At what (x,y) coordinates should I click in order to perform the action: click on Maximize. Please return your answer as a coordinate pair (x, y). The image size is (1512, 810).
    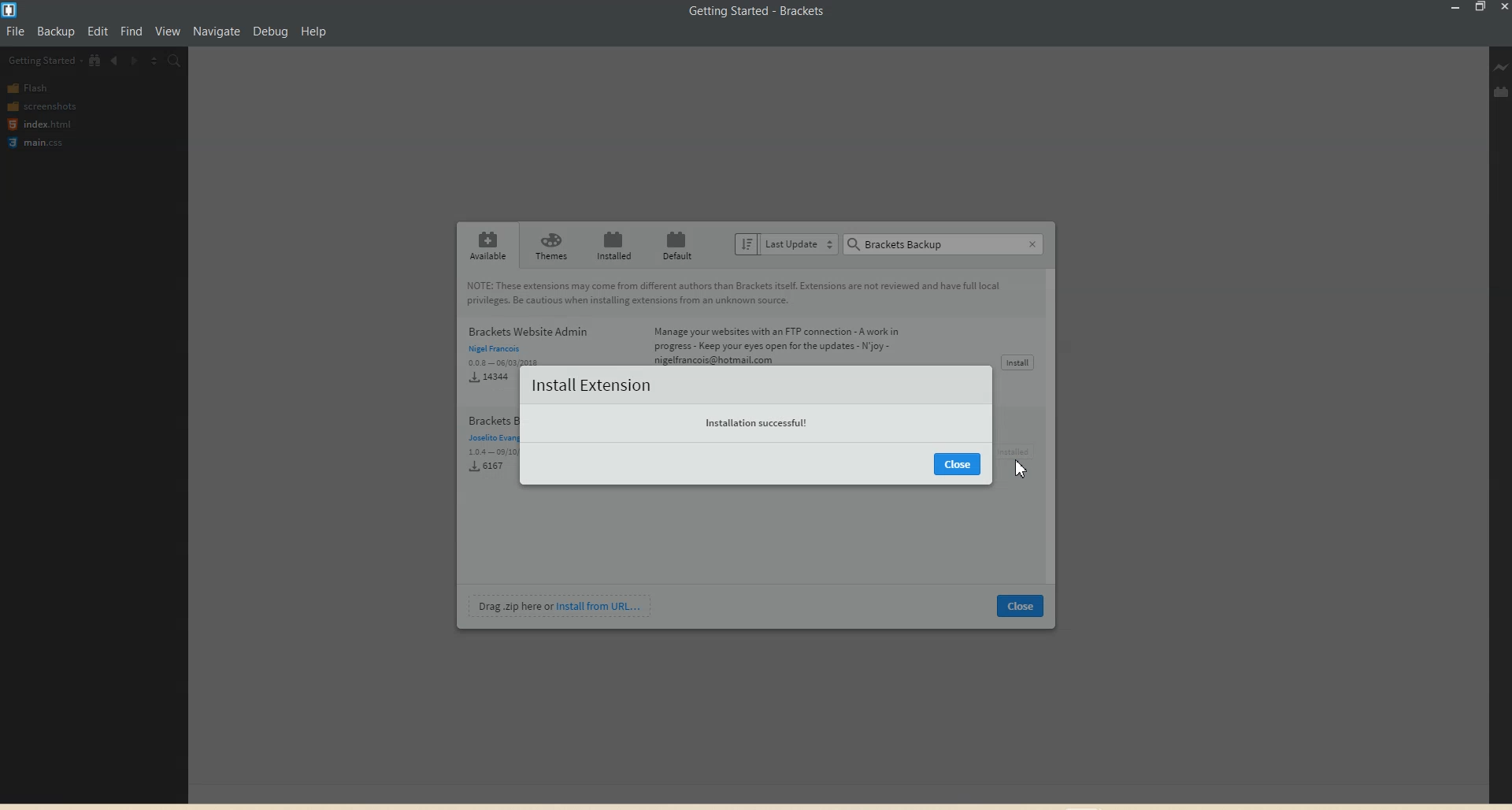
    Looking at the image, I should click on (1480, 8).